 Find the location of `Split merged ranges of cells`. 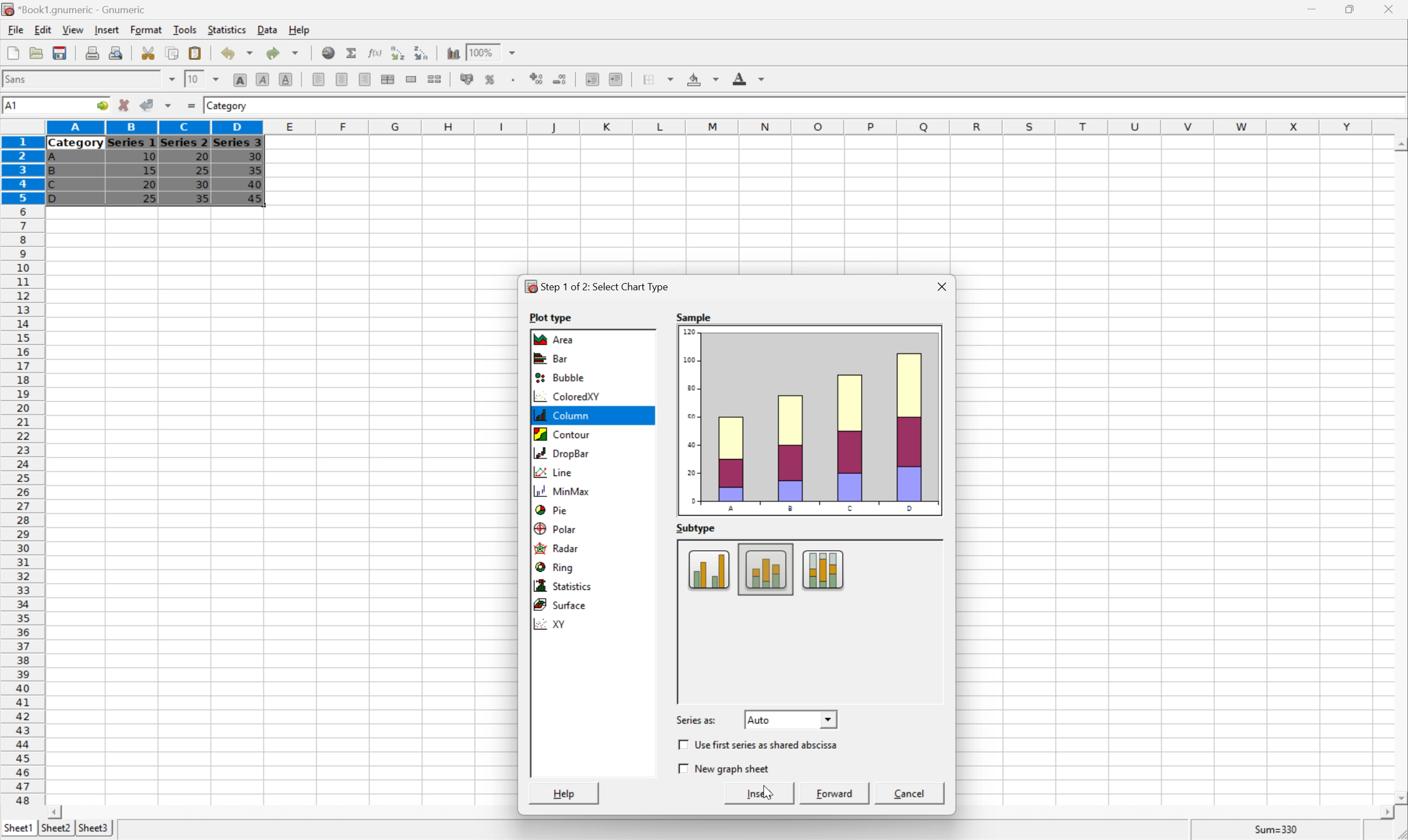

Split merged ranges of cells is located at coordinates (435, 79).